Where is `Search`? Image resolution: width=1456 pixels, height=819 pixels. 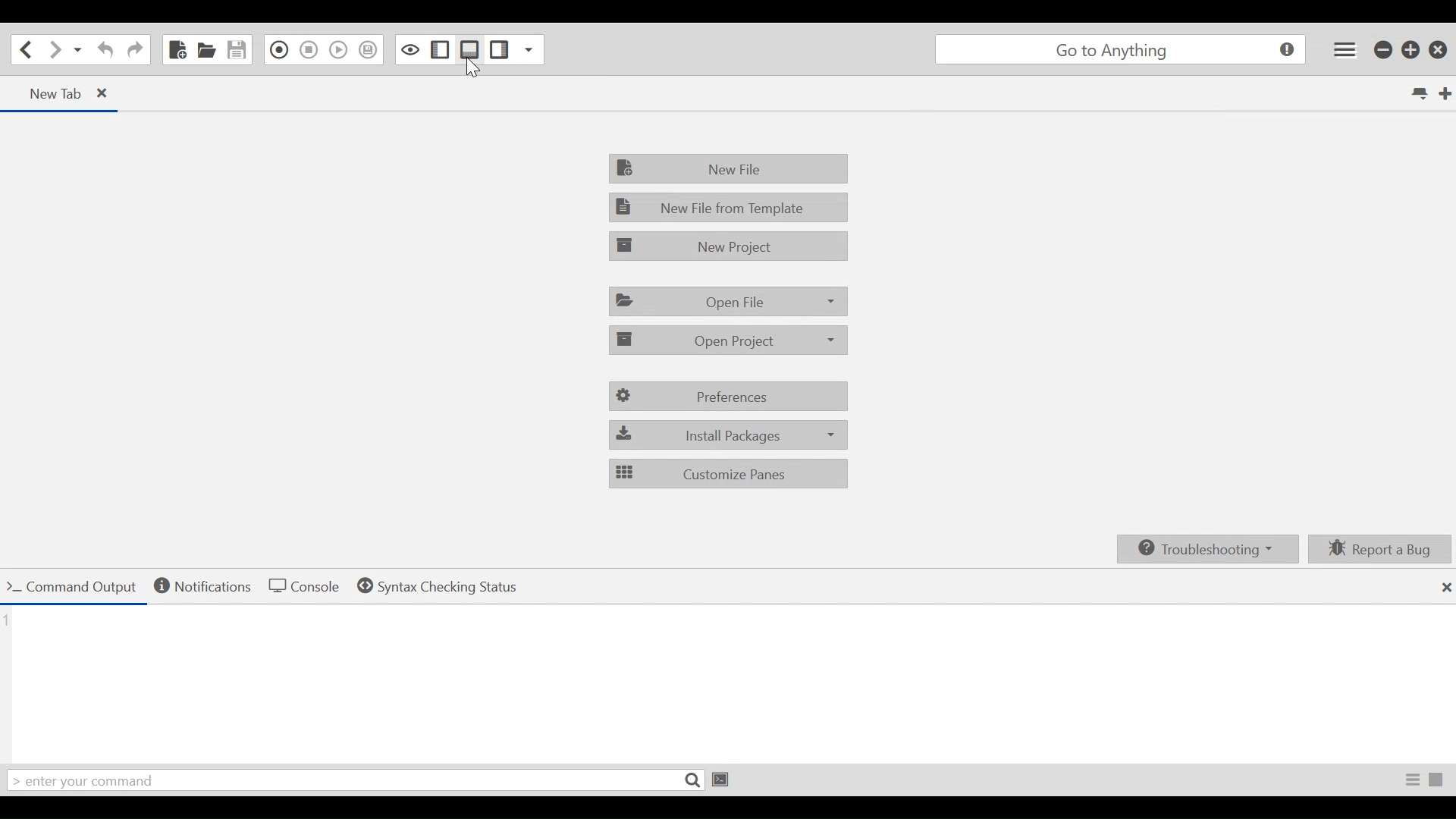
Search is located at coordinates (1122, 48).